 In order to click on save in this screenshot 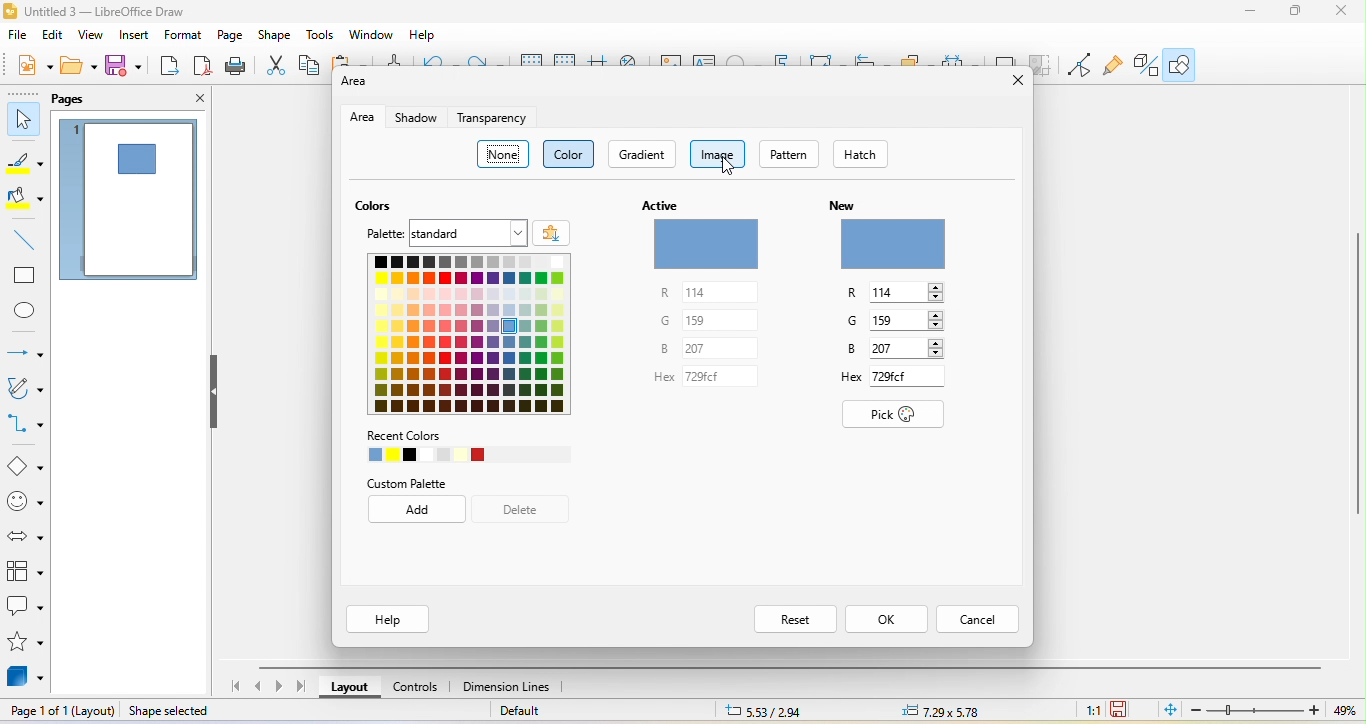, I will do `click(127, 70)`.